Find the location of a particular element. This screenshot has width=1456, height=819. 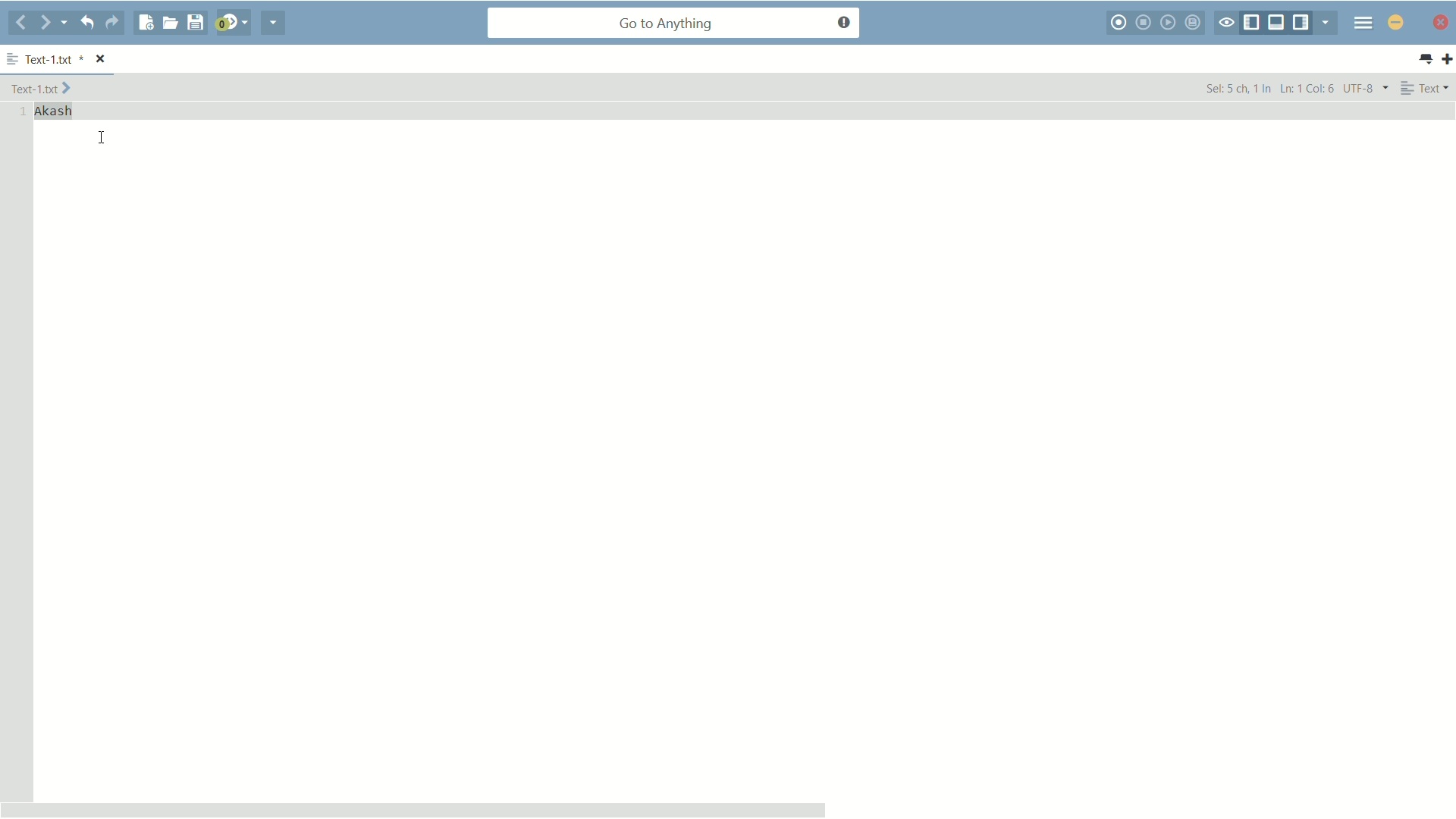

more options is located at coordinates (13, 60).